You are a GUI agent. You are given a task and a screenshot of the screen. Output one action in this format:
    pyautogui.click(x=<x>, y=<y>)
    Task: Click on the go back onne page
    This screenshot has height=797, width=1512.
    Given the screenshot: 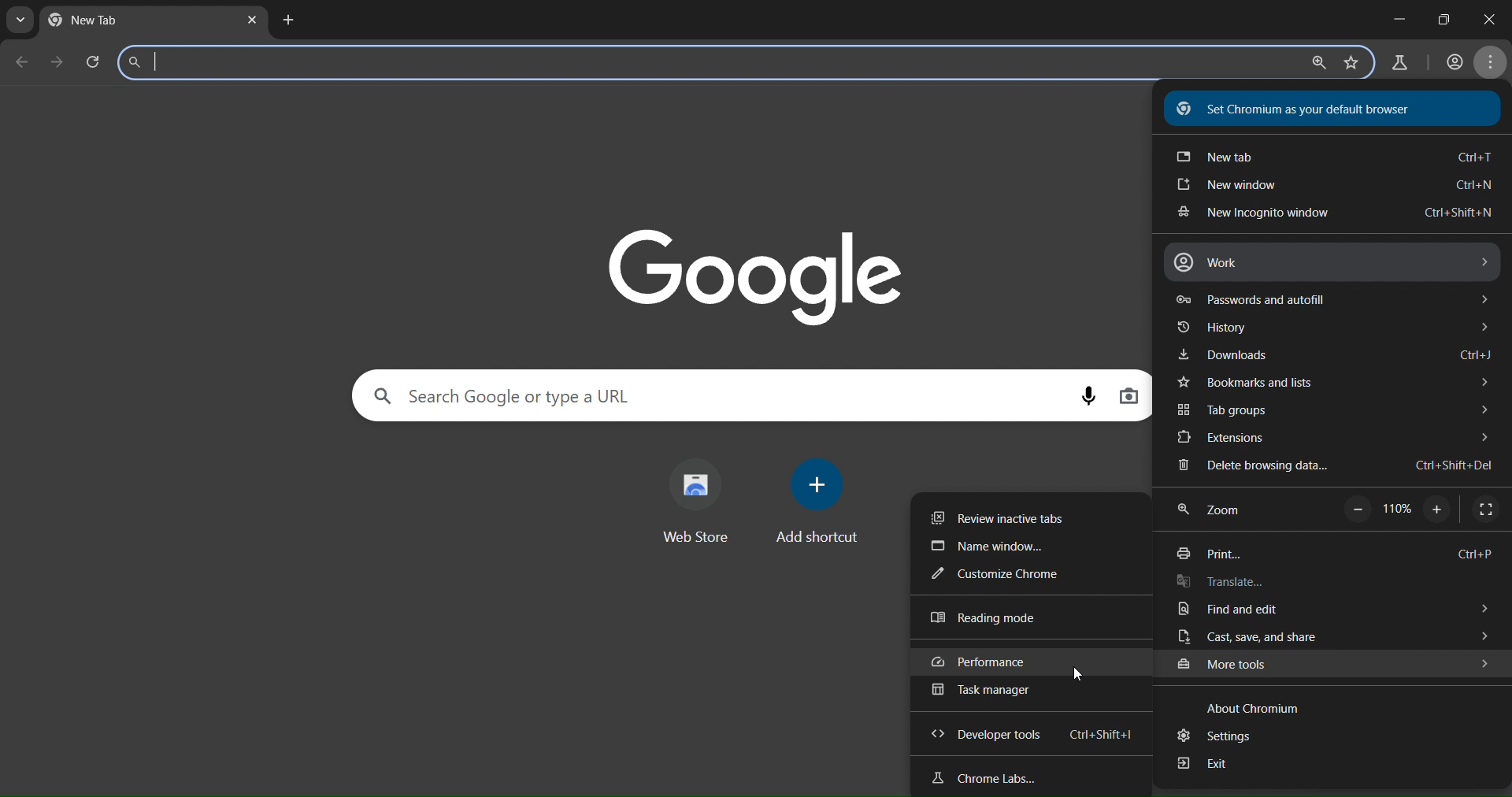 What is the action you would take?
    pyautogui.click(x=20, y=61)
    